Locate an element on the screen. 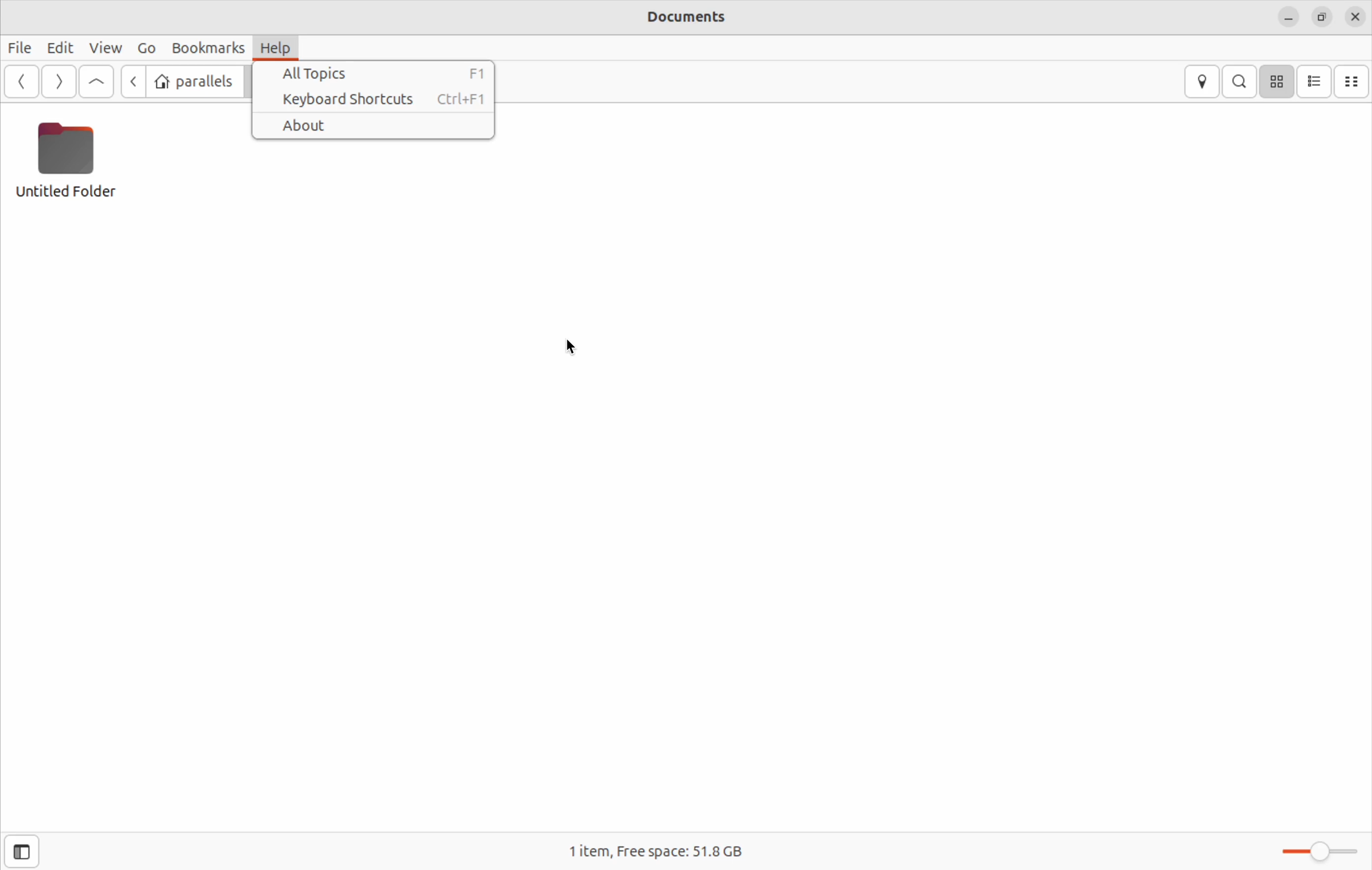  Go is located at coordinates (146, 47).